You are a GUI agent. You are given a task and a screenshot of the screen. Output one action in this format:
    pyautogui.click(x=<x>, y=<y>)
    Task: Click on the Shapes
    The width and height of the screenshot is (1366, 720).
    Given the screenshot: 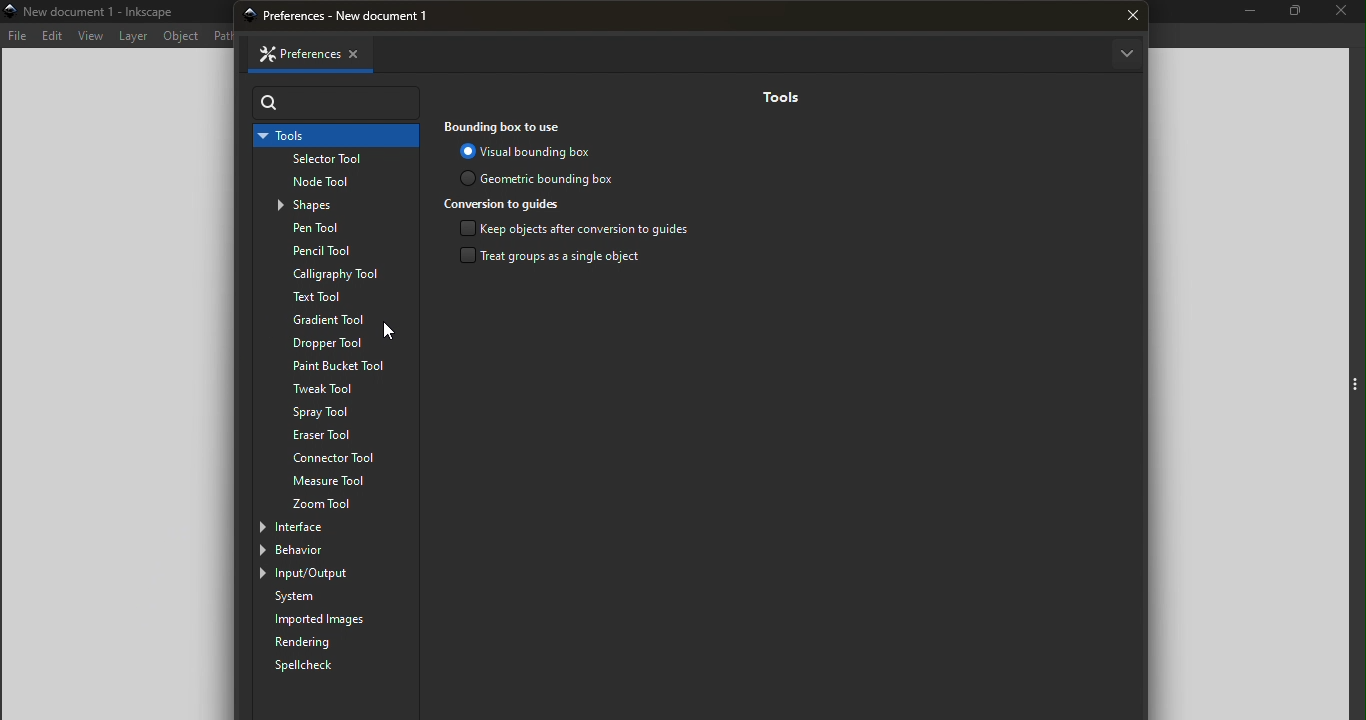 What is the action you would take?
    pyautogui.click(x=341, y=206)
    